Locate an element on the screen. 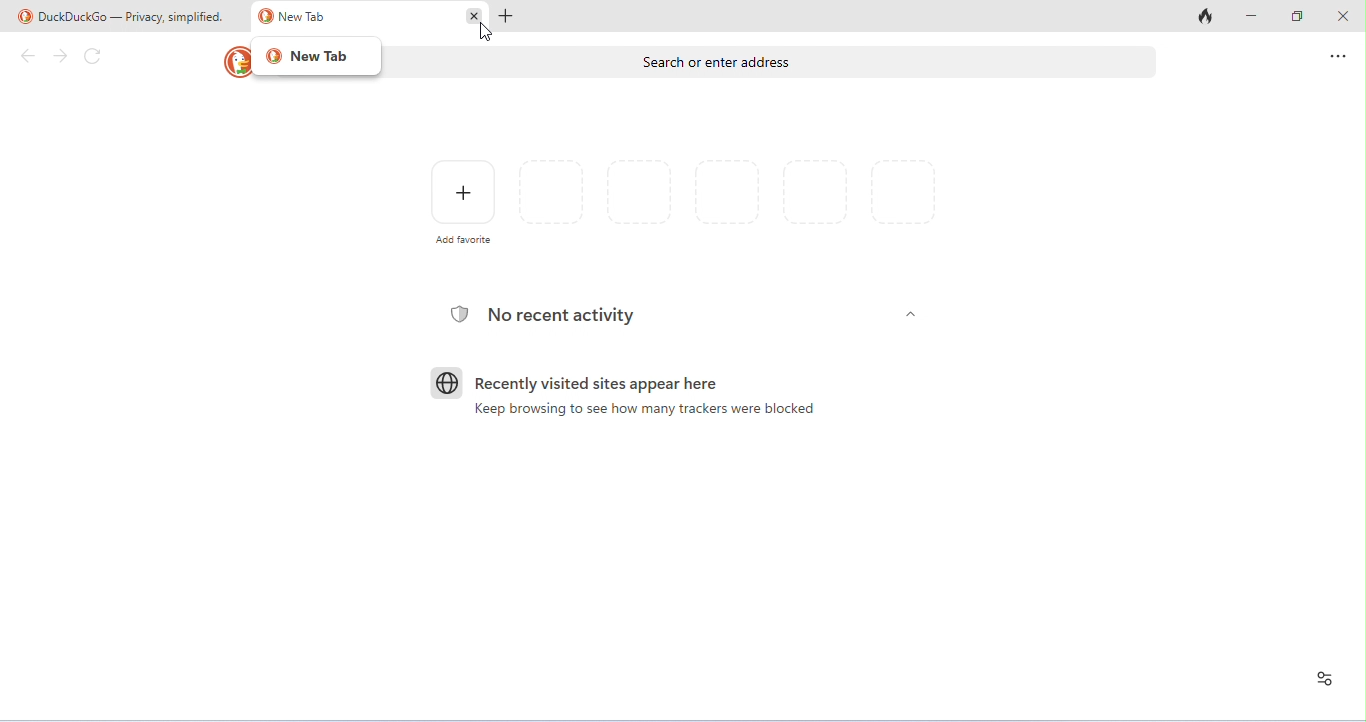  favorites and recently visited pages is located at coordinates (816, 196).